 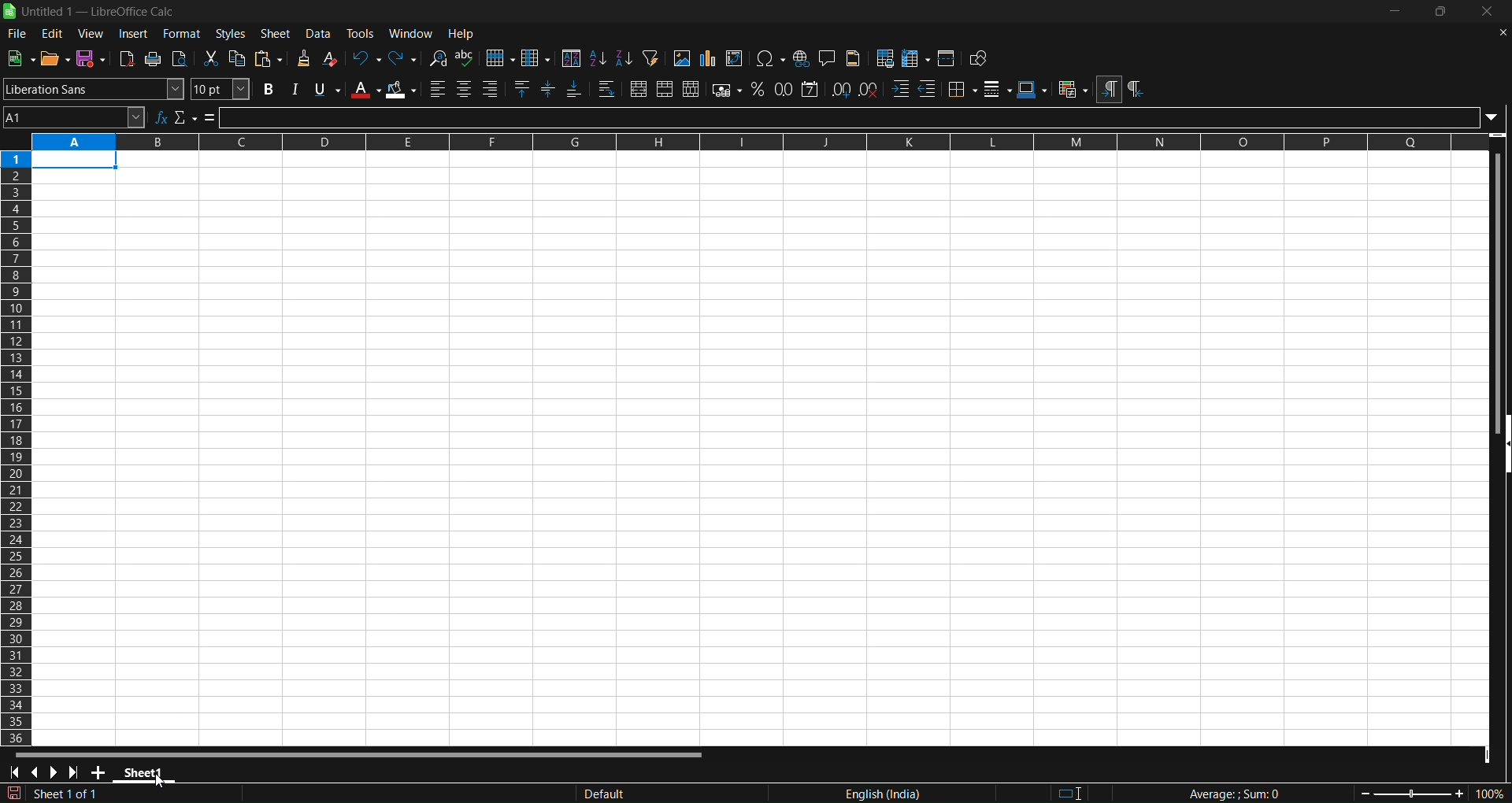 I want to click on left to right, so click(x=1108, y=90).